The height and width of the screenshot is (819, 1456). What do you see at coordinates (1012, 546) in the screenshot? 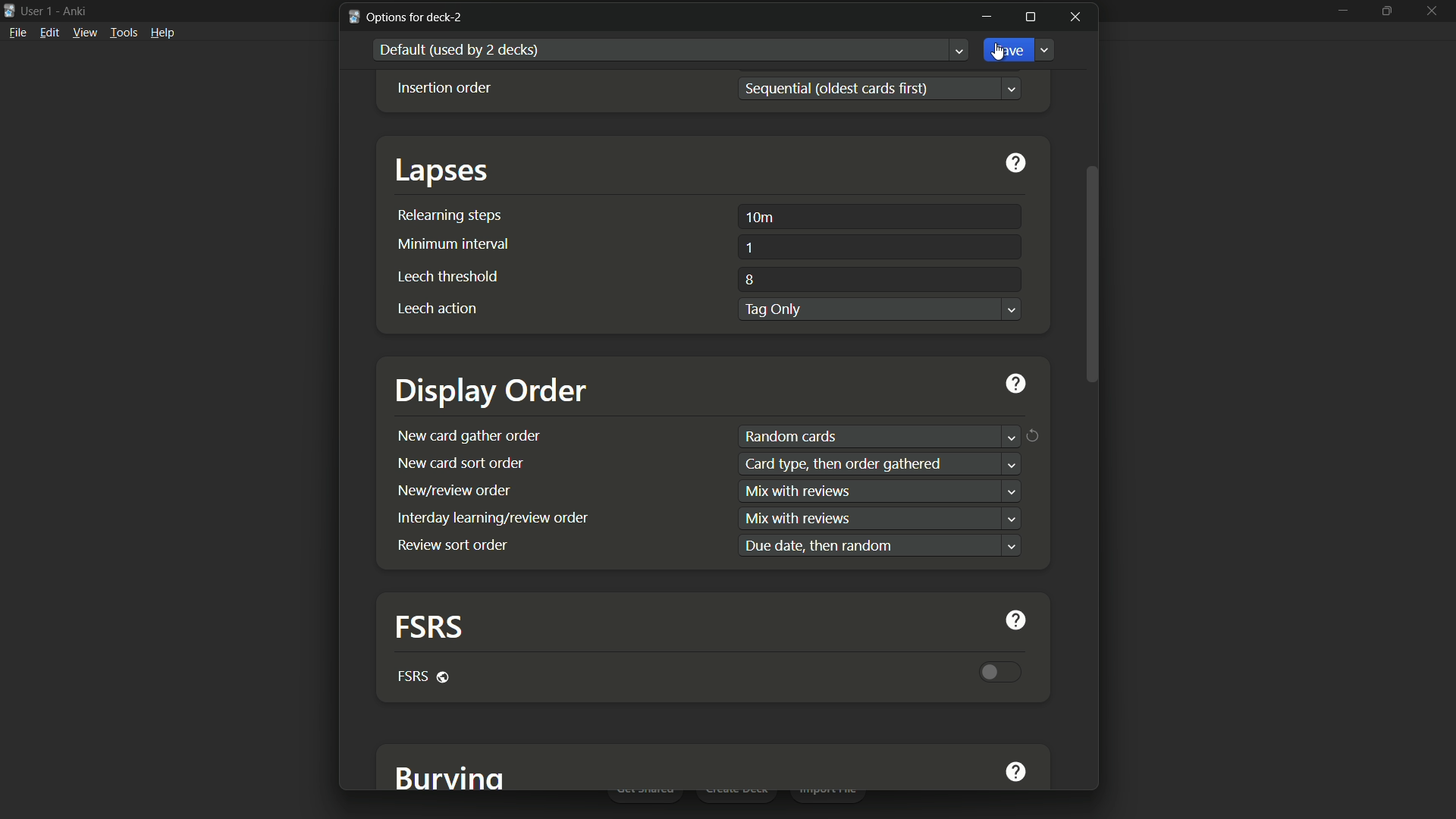
I see `dropdown` at bounding box center [1012, 546].